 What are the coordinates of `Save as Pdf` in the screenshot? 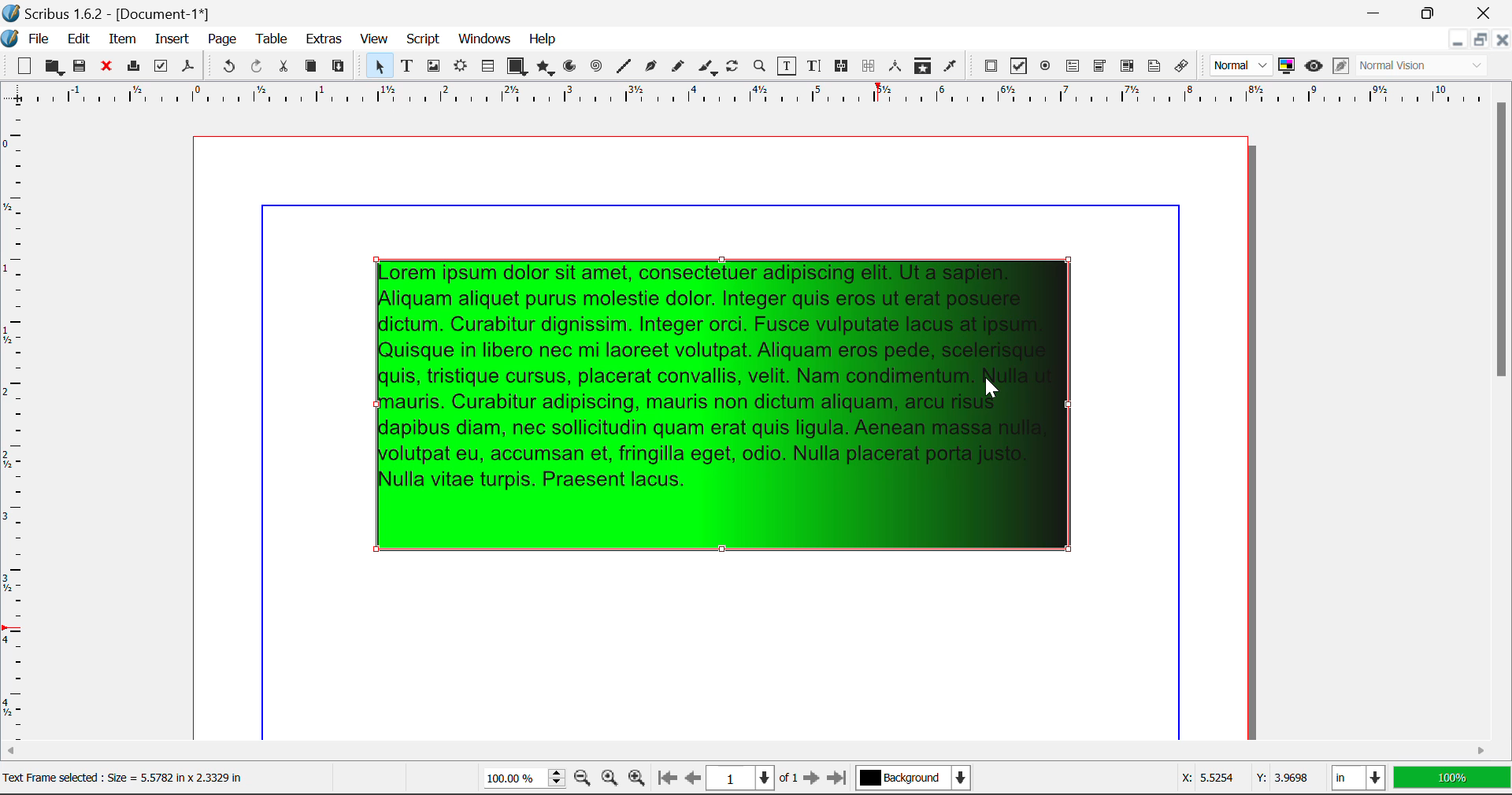 It's located at (188, 68).